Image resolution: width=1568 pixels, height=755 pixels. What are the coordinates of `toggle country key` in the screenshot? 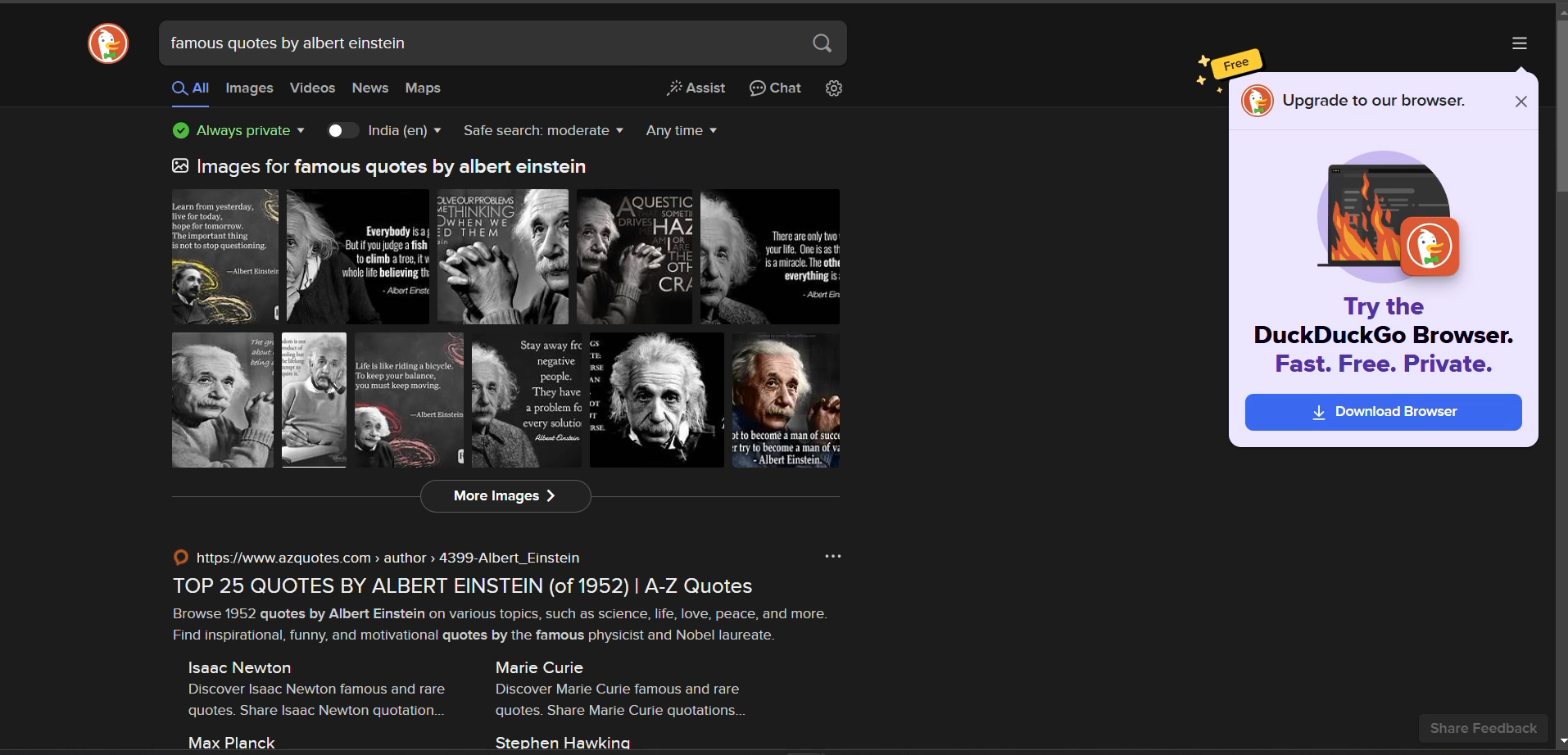 It's located at (340, 129).